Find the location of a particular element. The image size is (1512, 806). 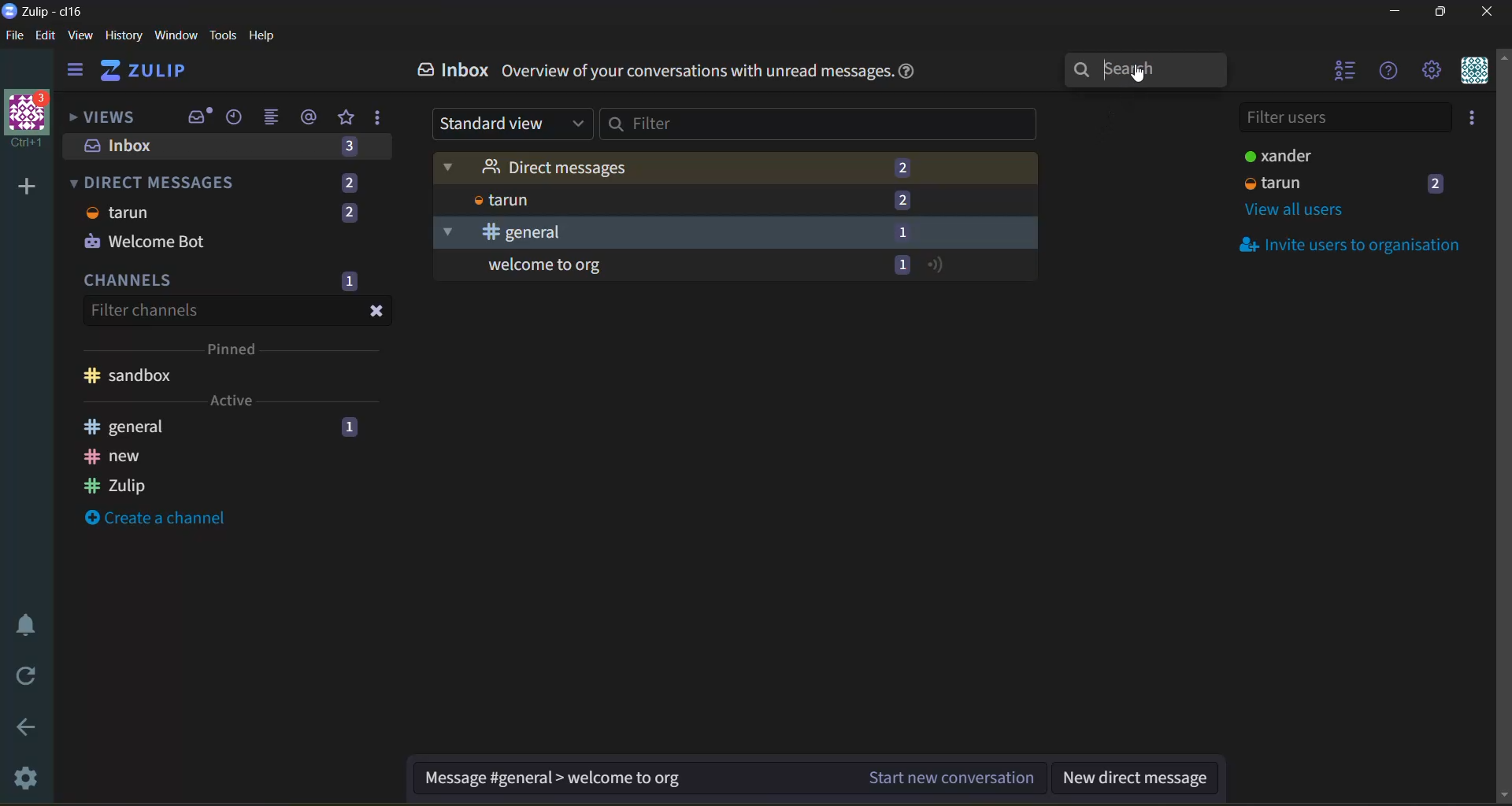

Start new conversation is located at coordinates (953, 776).